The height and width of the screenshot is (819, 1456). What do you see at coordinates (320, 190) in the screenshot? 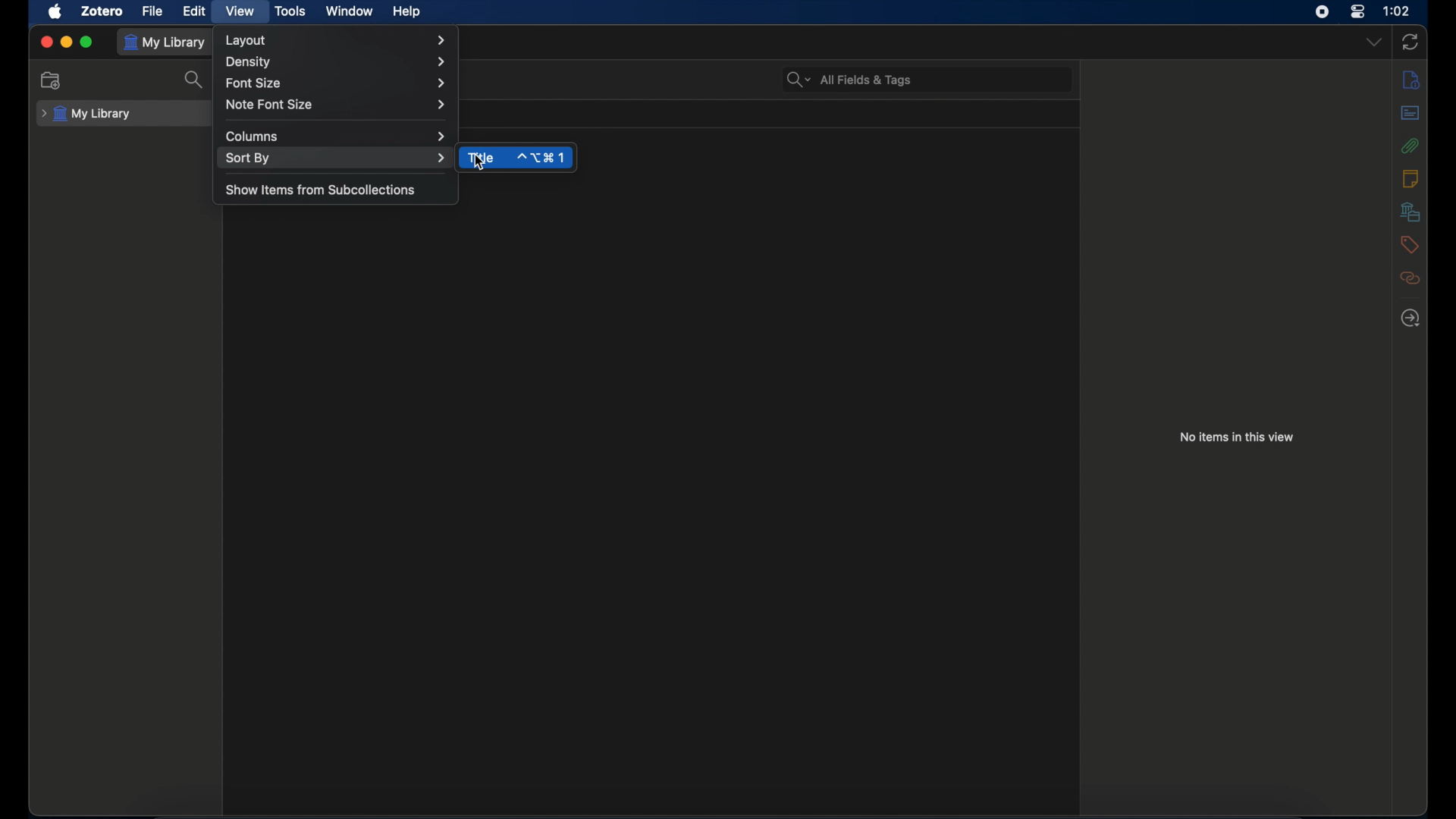
I see `show items from subcollections` at bounding box center [320, 190].